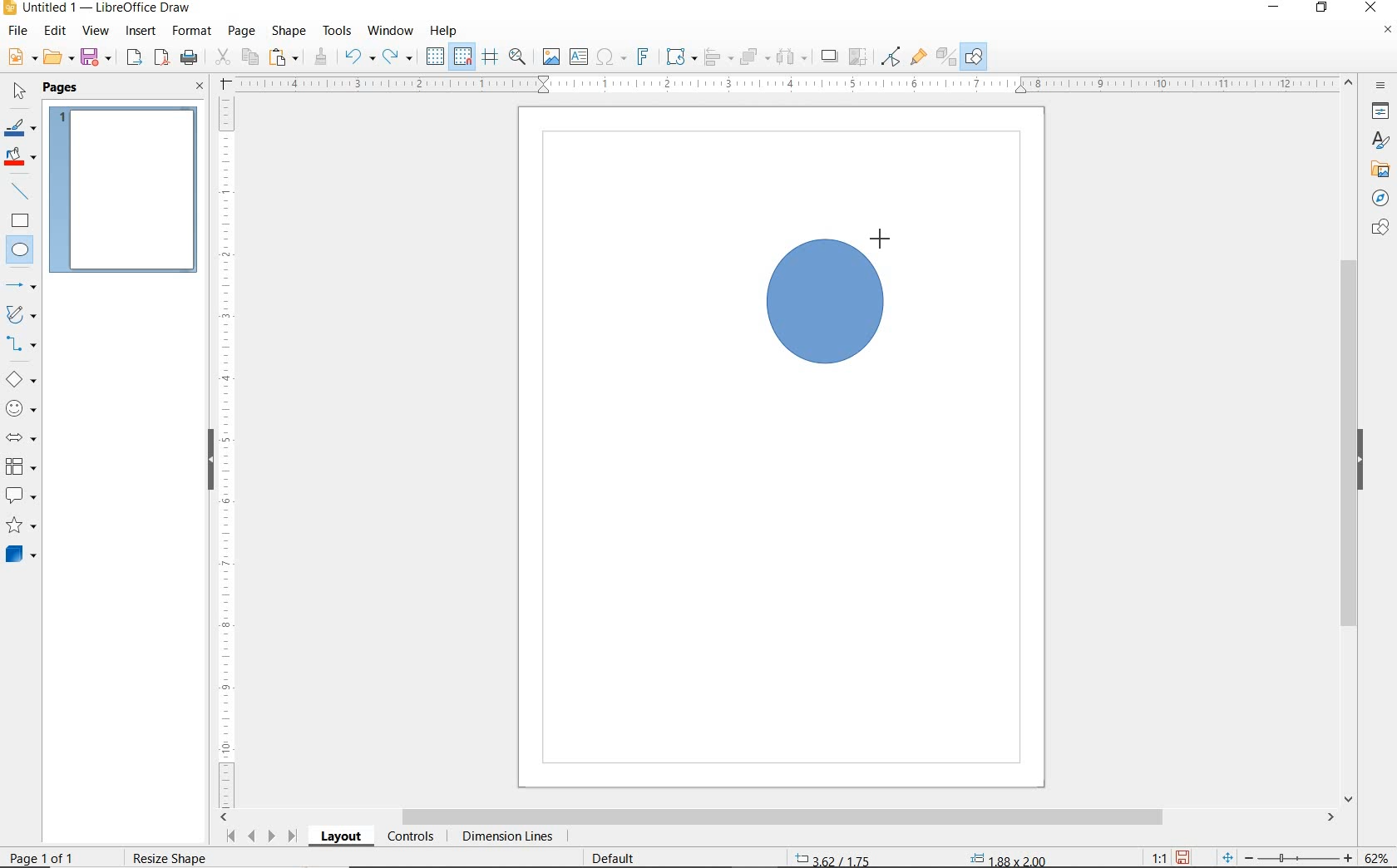  I want to click on EXPORT AS PDF, so click(162, 59).